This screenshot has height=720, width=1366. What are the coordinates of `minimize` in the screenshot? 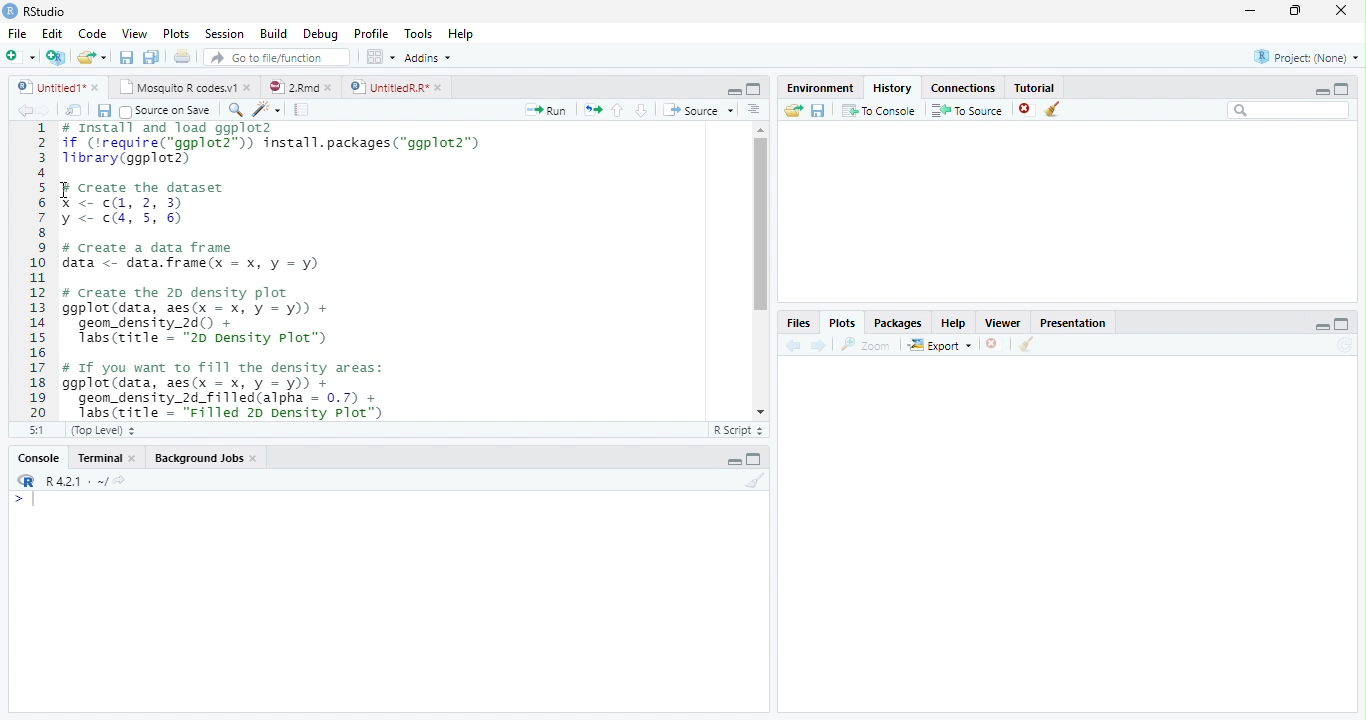 It's located at (735, 92).